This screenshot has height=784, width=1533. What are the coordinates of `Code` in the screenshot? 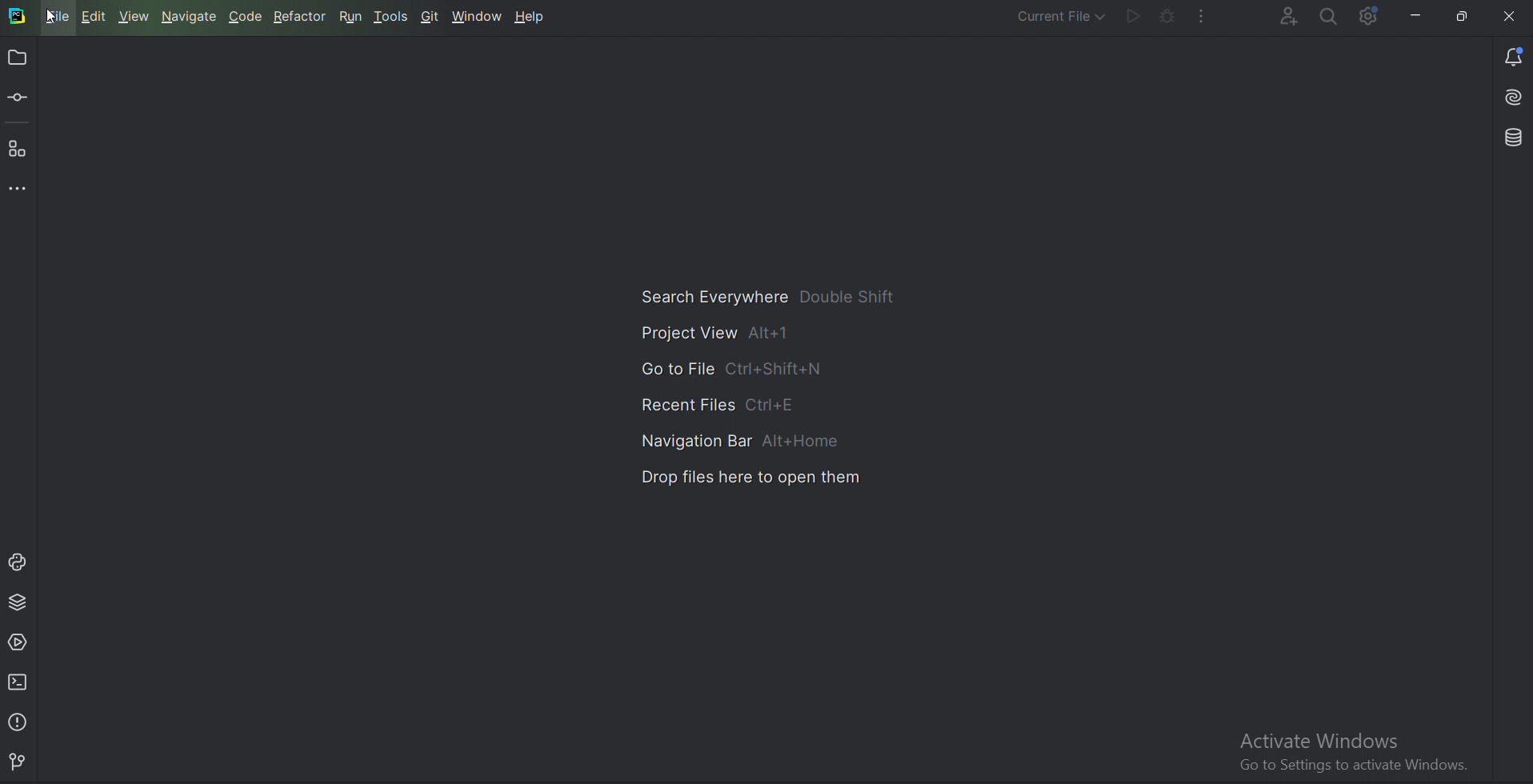 It's located at (249, 16).